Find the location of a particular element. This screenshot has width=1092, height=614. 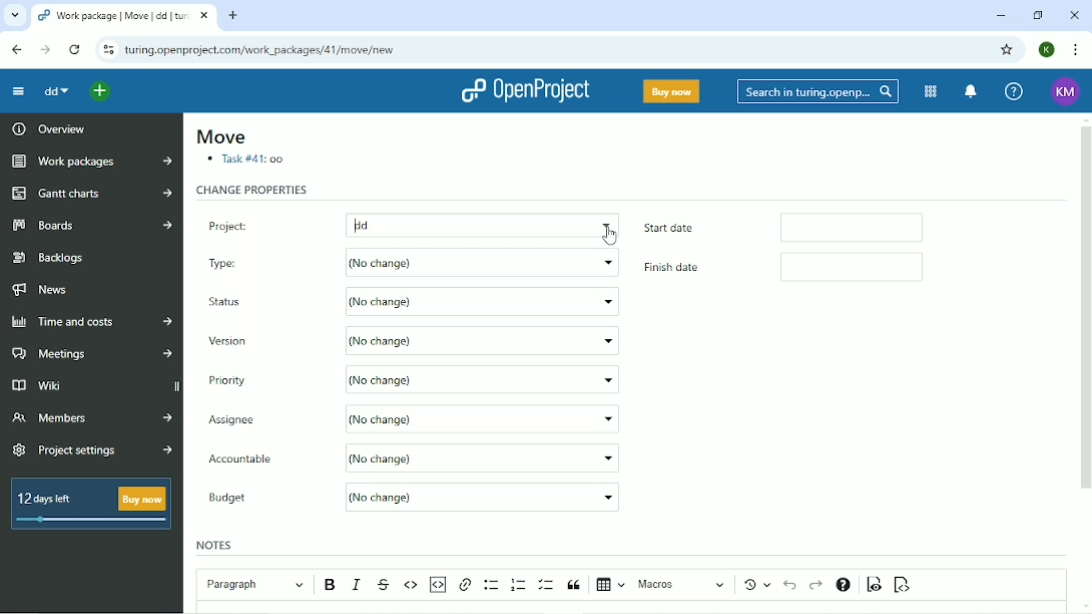

Toggle preview mode is located at coordinates (875, 584).